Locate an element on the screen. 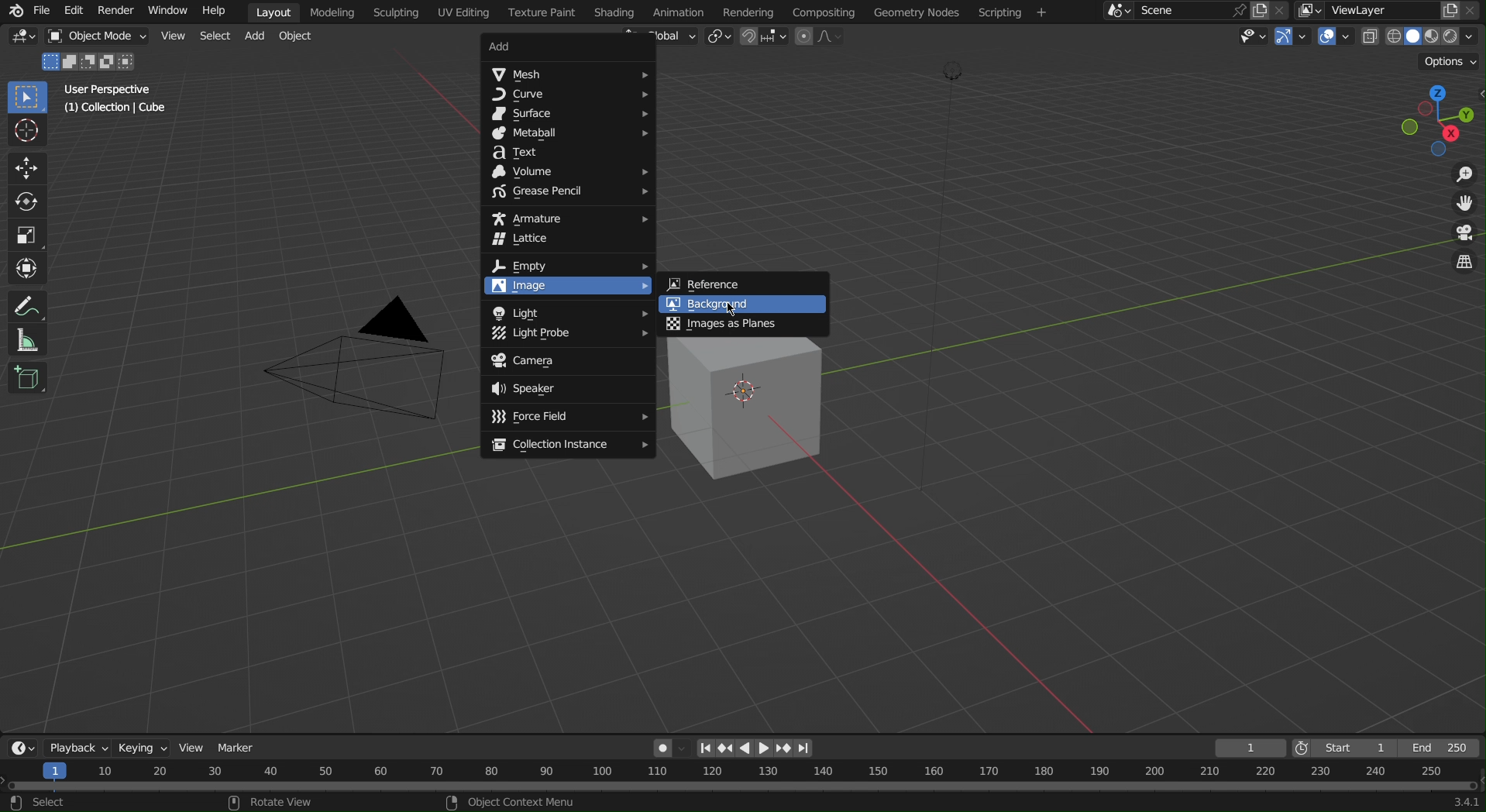  Force Field is located at coordinates (568, 418).